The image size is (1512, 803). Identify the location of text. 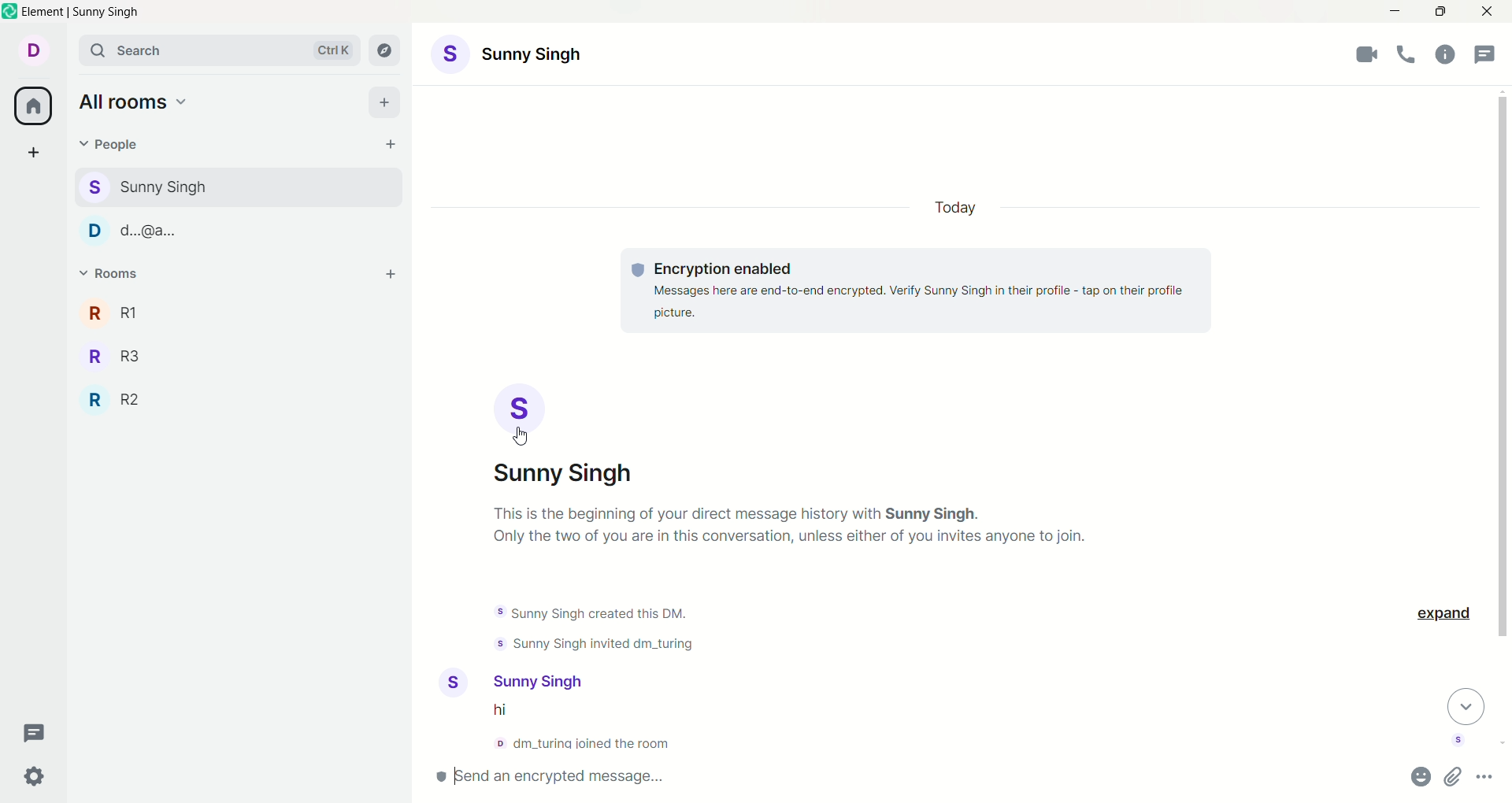
(593, 631).